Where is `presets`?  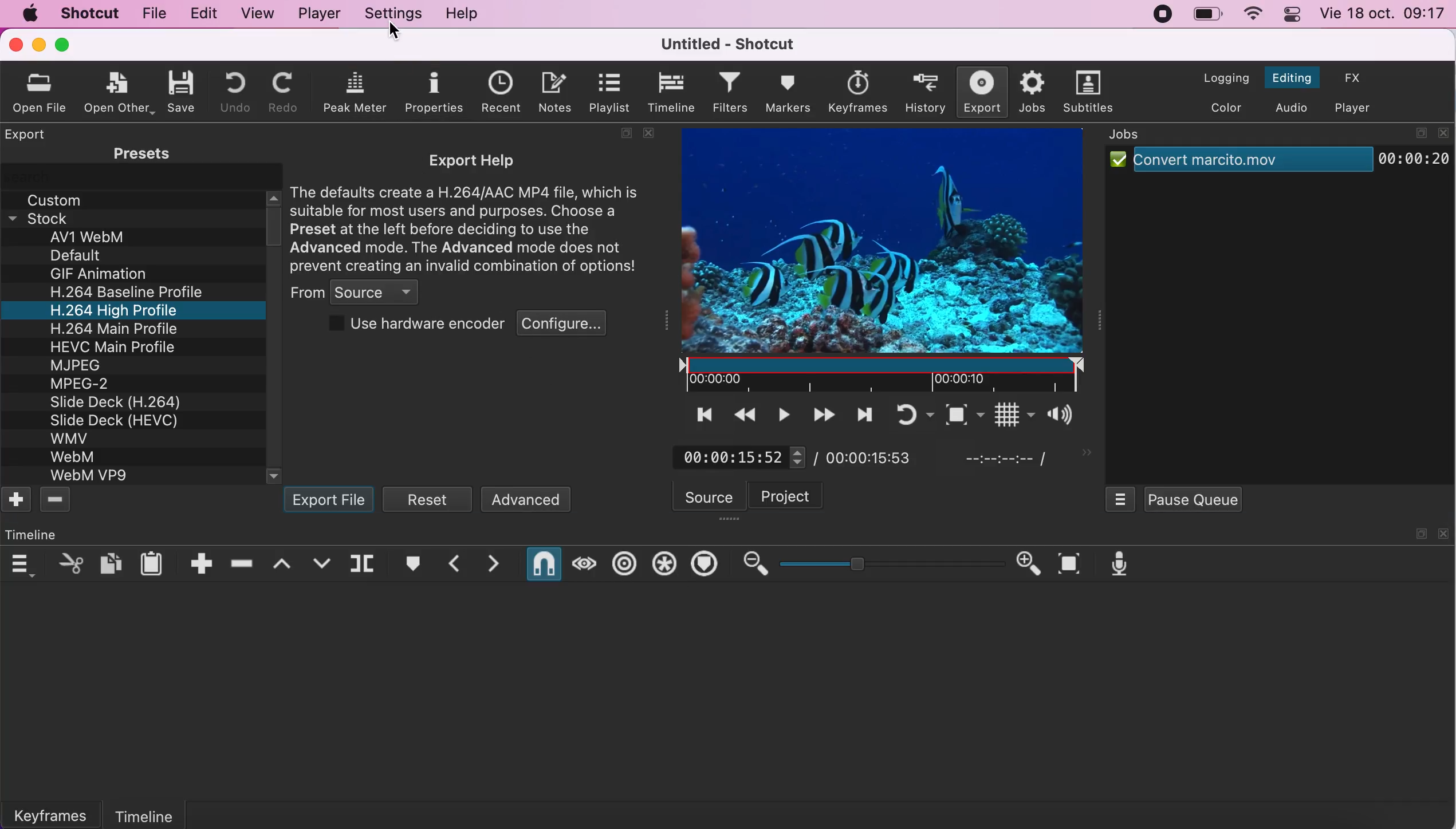
presets is located at coordinates (135, 153).